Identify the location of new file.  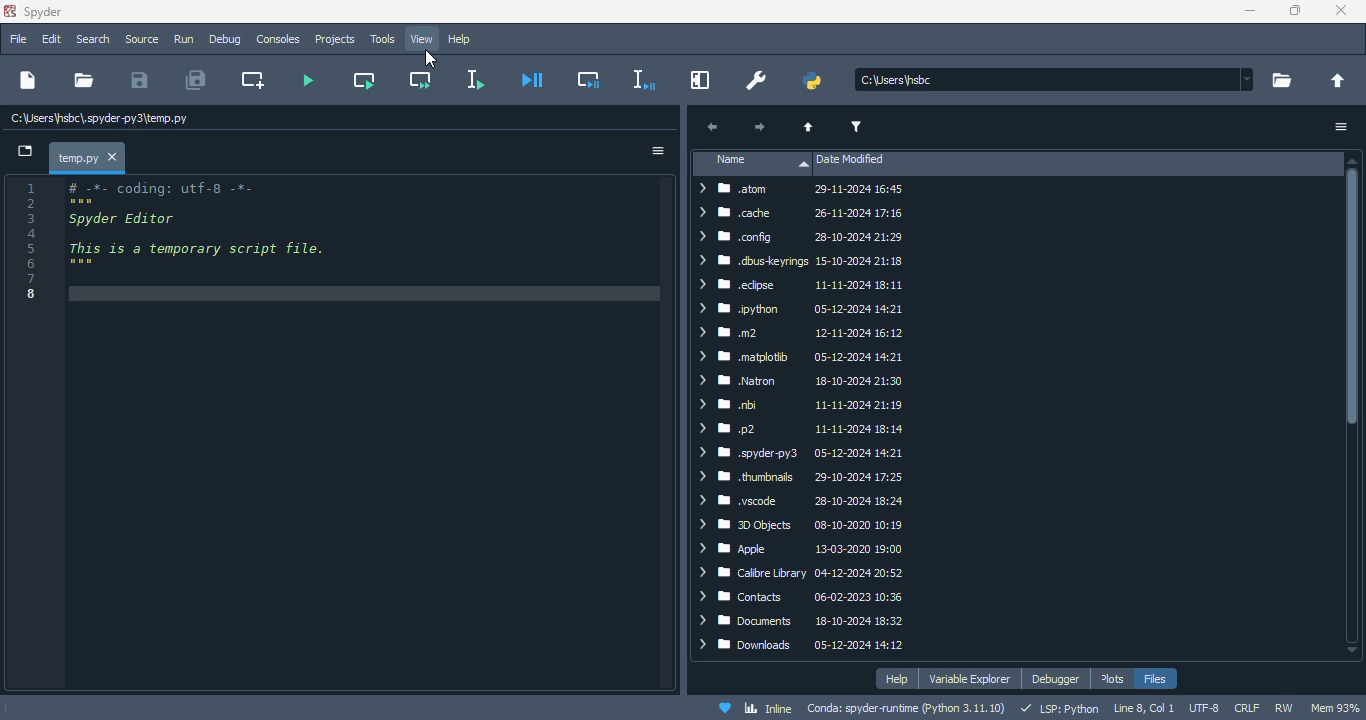
(26, 80).